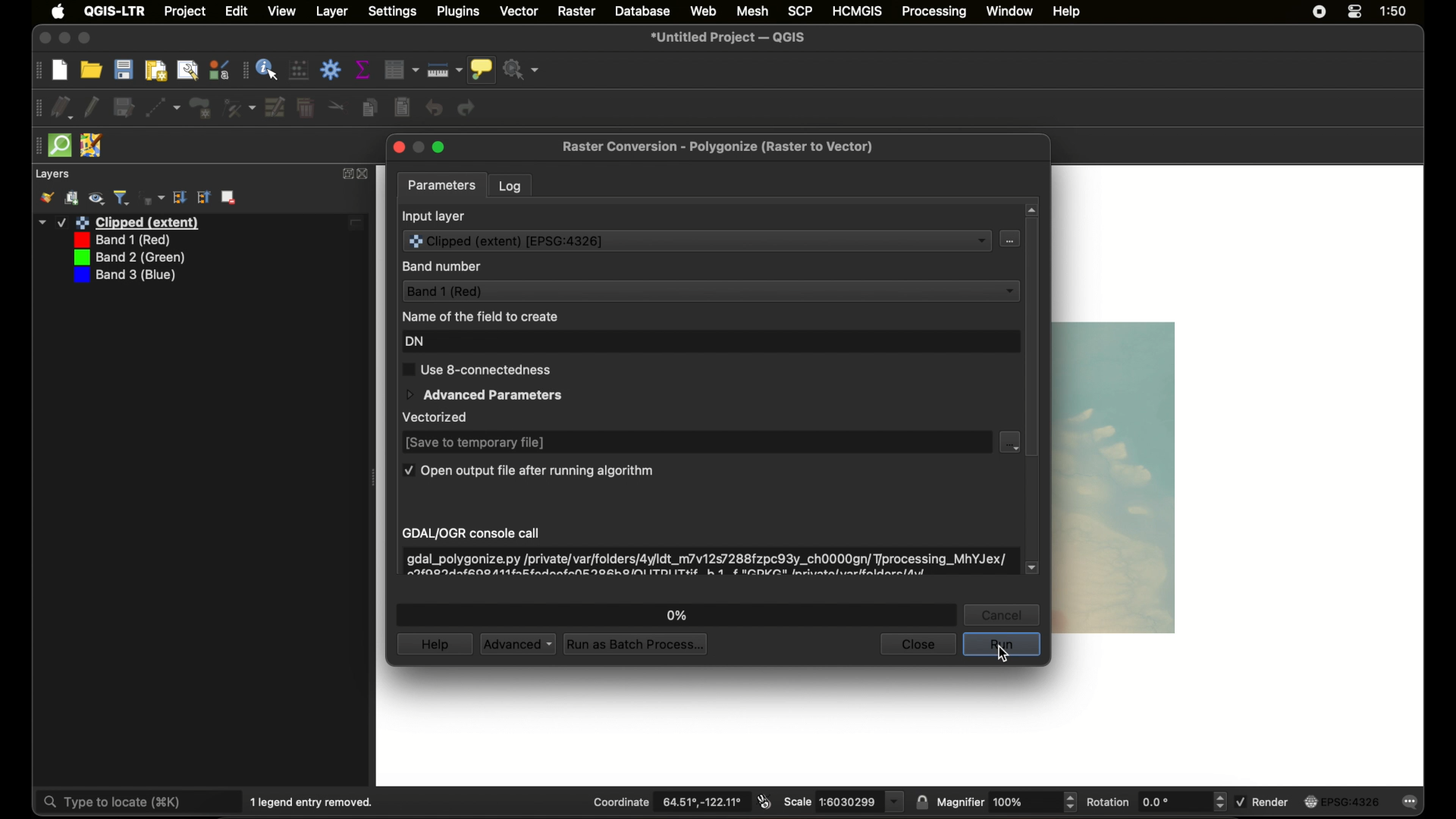 This screenshot has width=1456, height=819. I want to click on apple icon, so click(58, 11).